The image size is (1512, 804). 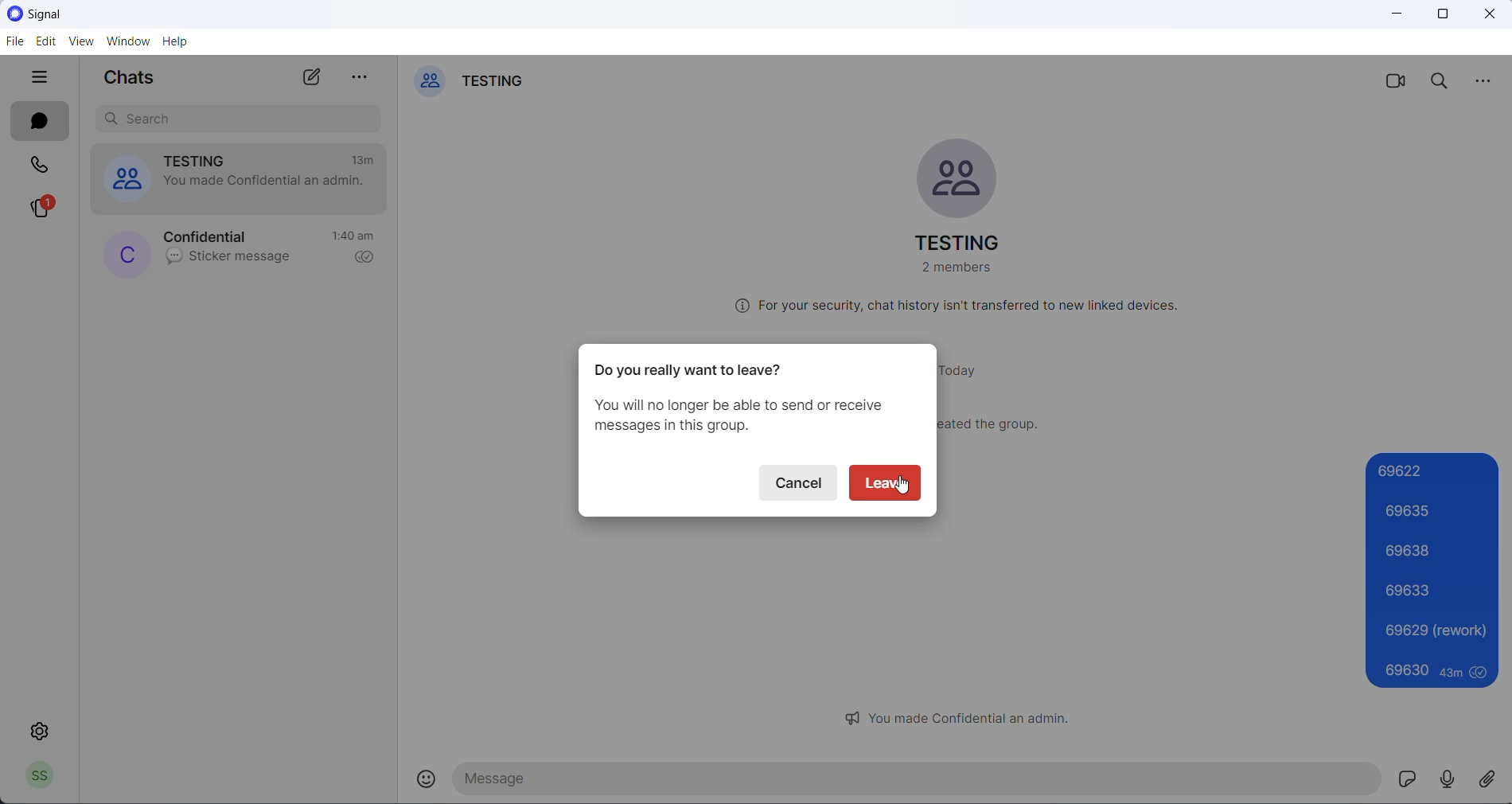 I want to click on today heading, so click(x=964, y=372).